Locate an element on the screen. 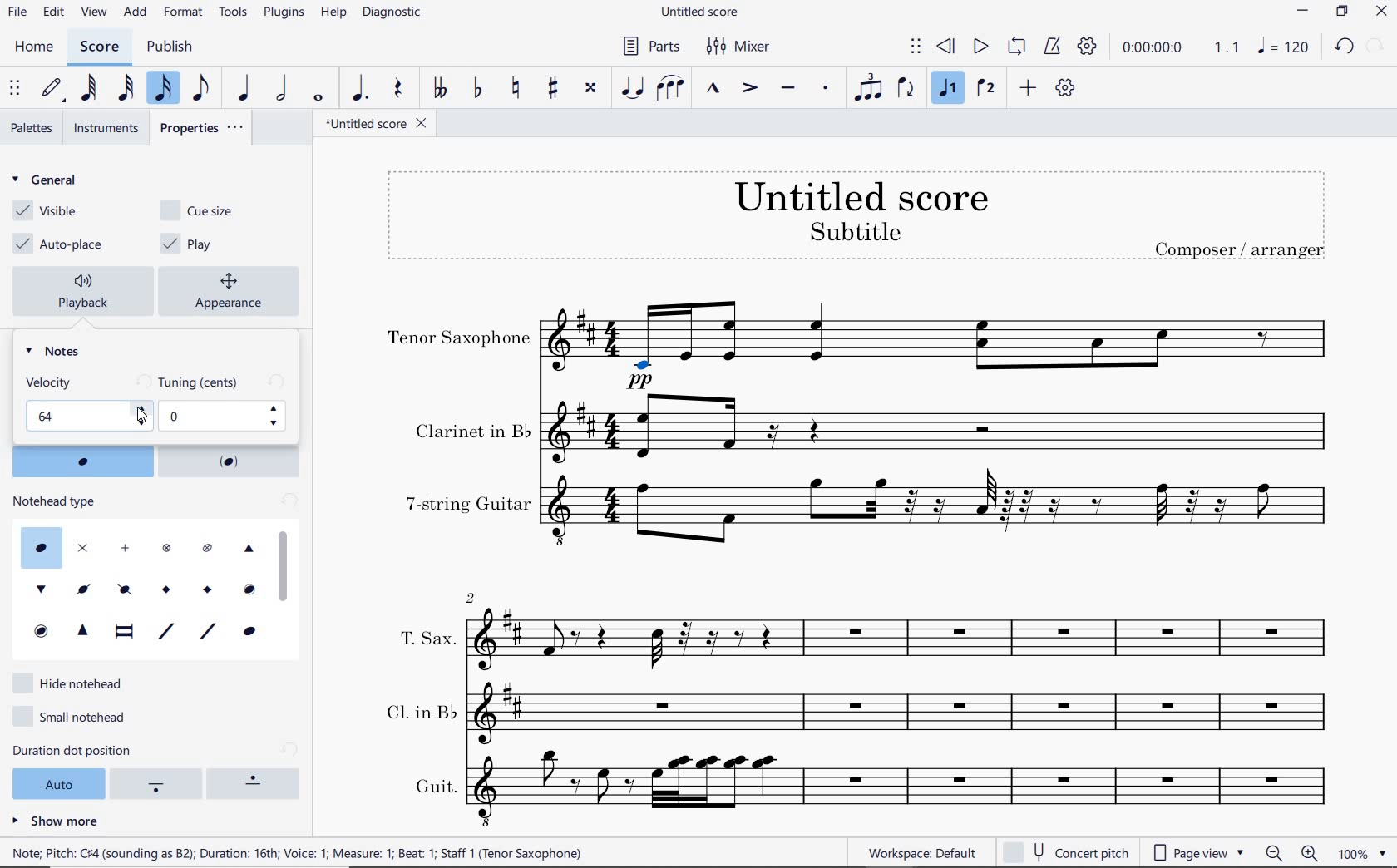 The width and height of the screenshot is (1397, 868). AUGMENTATION DOT is located at coordinates (362, 89).